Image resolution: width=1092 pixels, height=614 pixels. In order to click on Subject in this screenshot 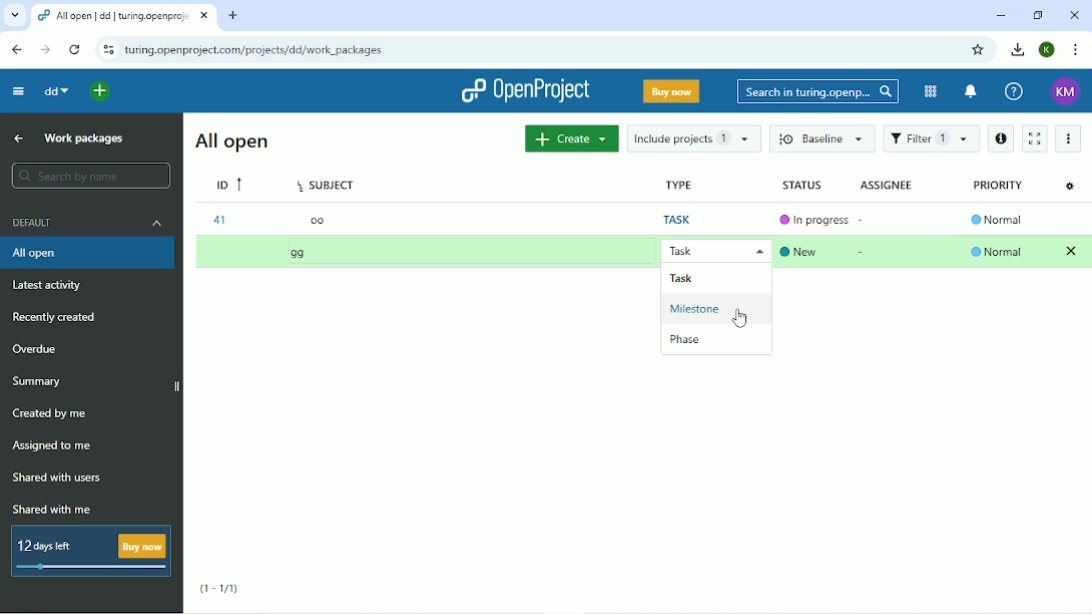, I will do `click(326, 186)`.